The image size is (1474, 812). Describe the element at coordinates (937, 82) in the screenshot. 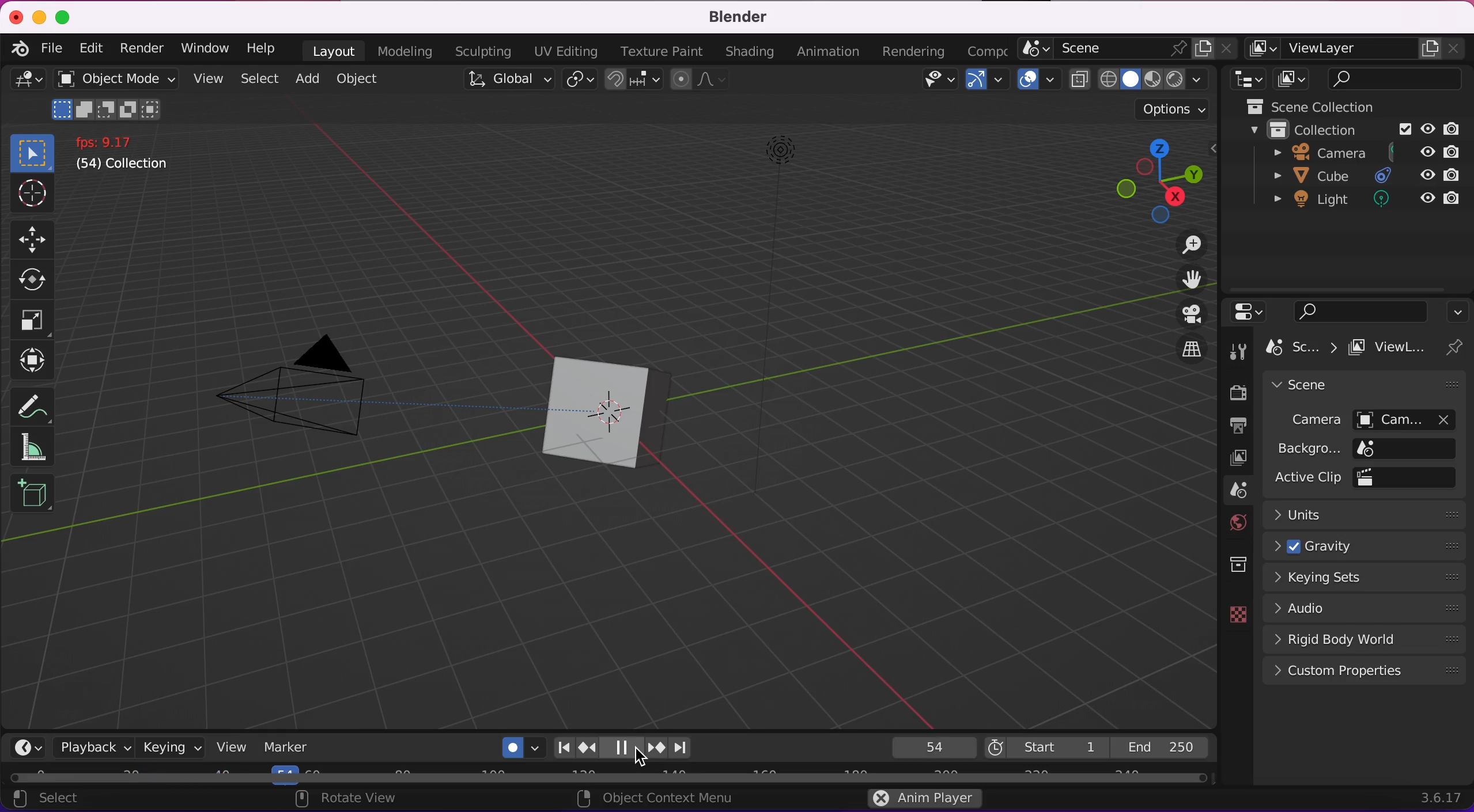

I see `view object types` at that location.